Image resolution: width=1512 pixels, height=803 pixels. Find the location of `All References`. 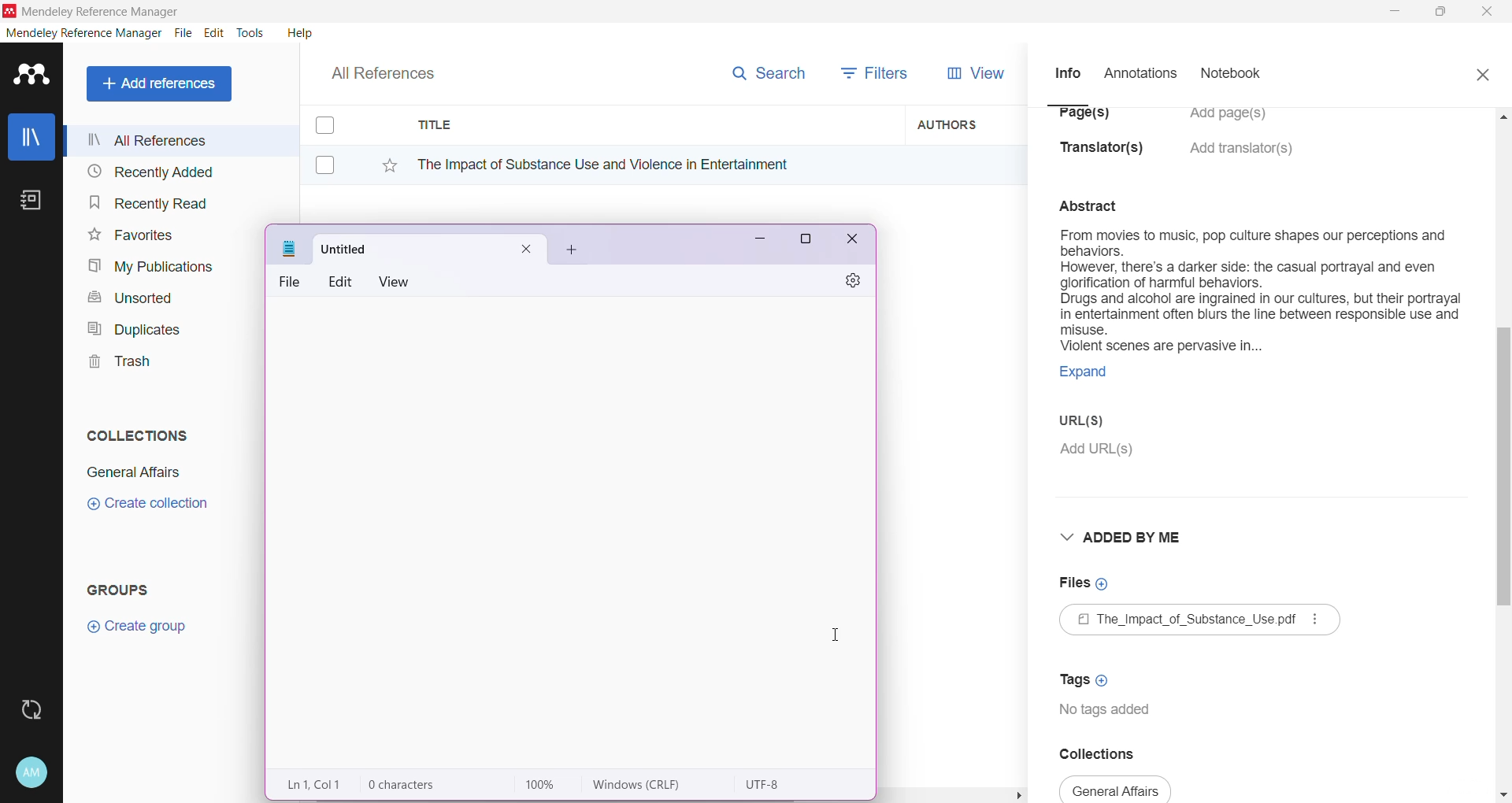

All References is located at coordinates (394, 69).